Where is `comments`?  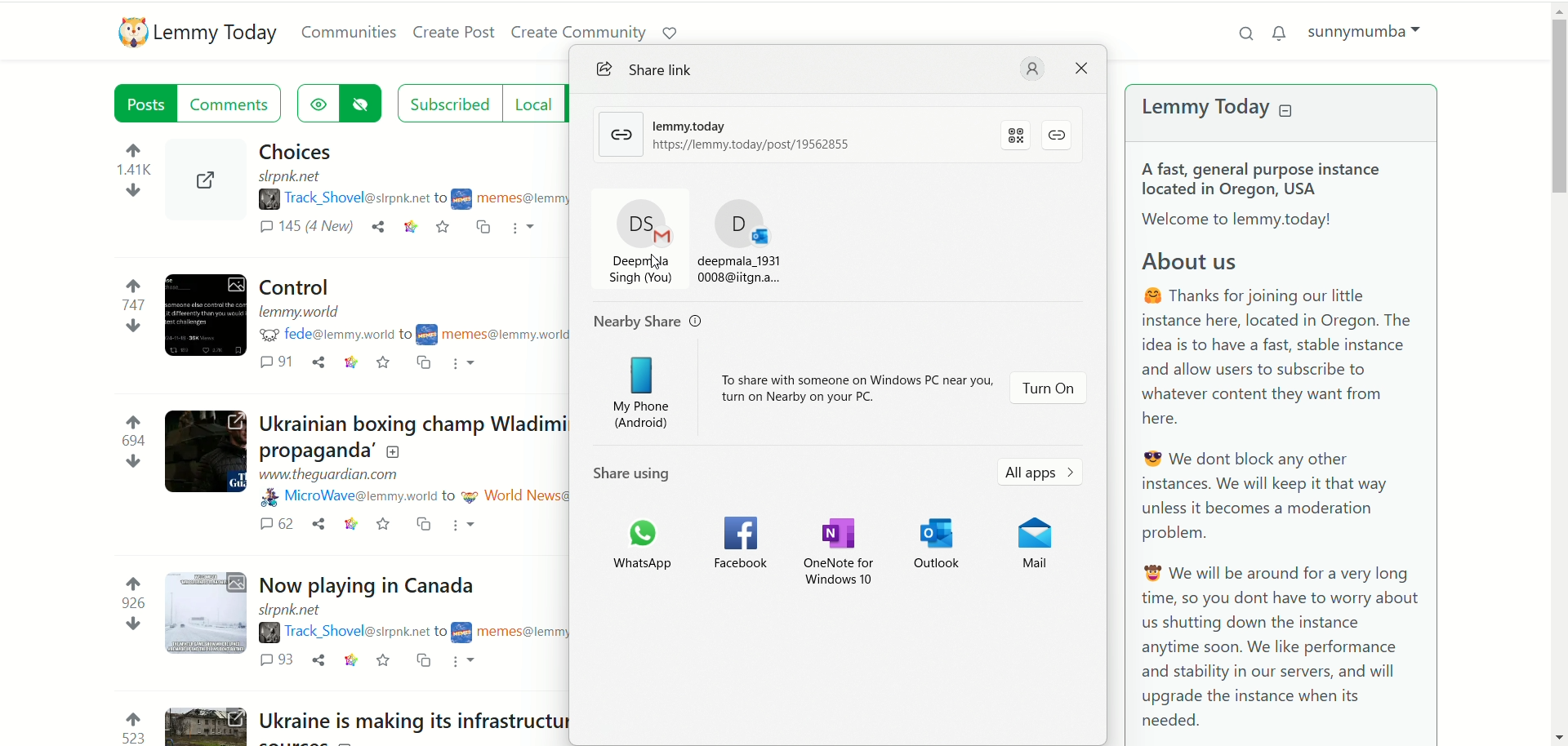
comments is located at coordinates (274, 524).